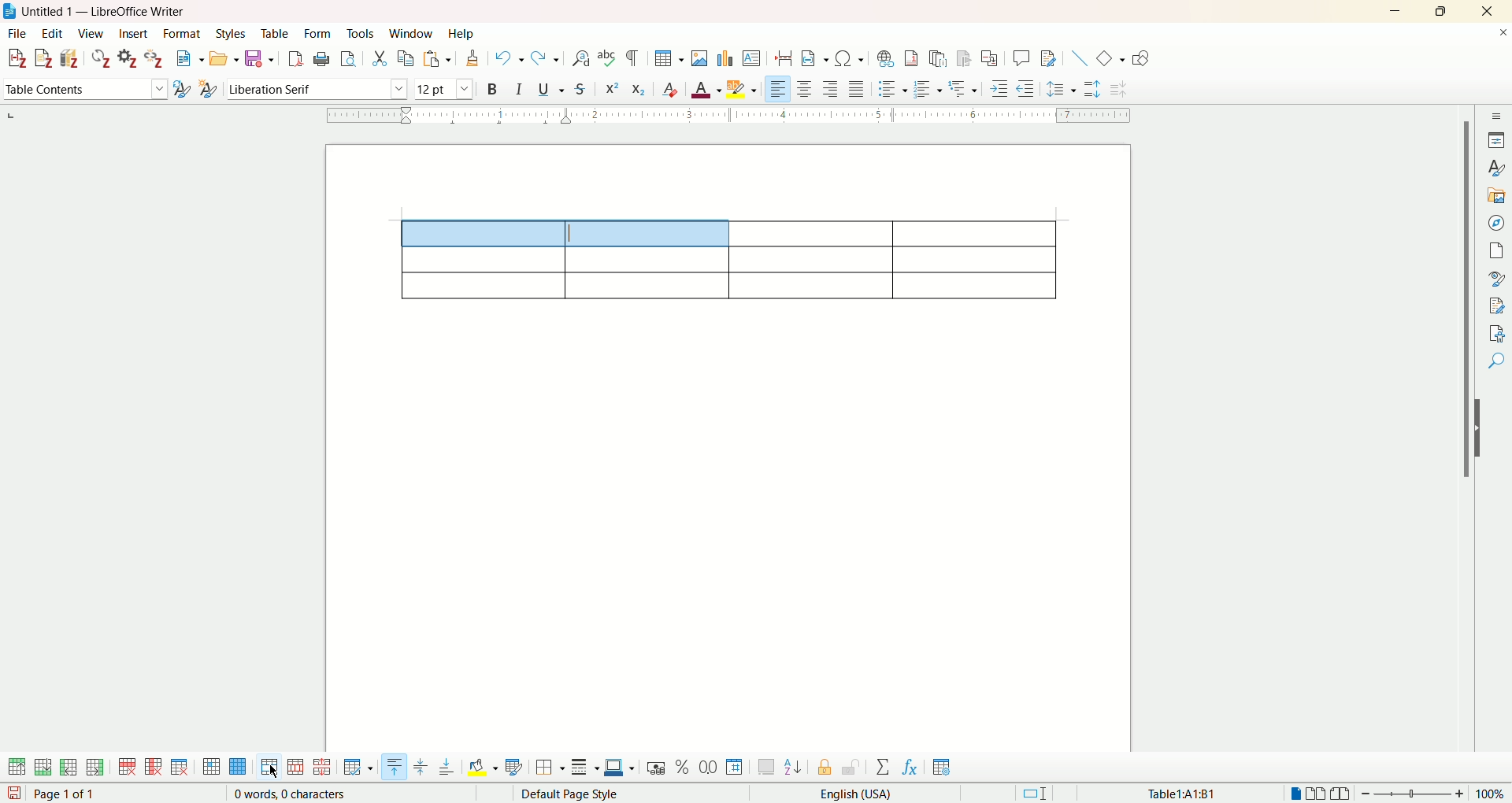 Image resolution: width=1512 pixels, height=803 pixels. I want to click on print preview, so click(346, 60).